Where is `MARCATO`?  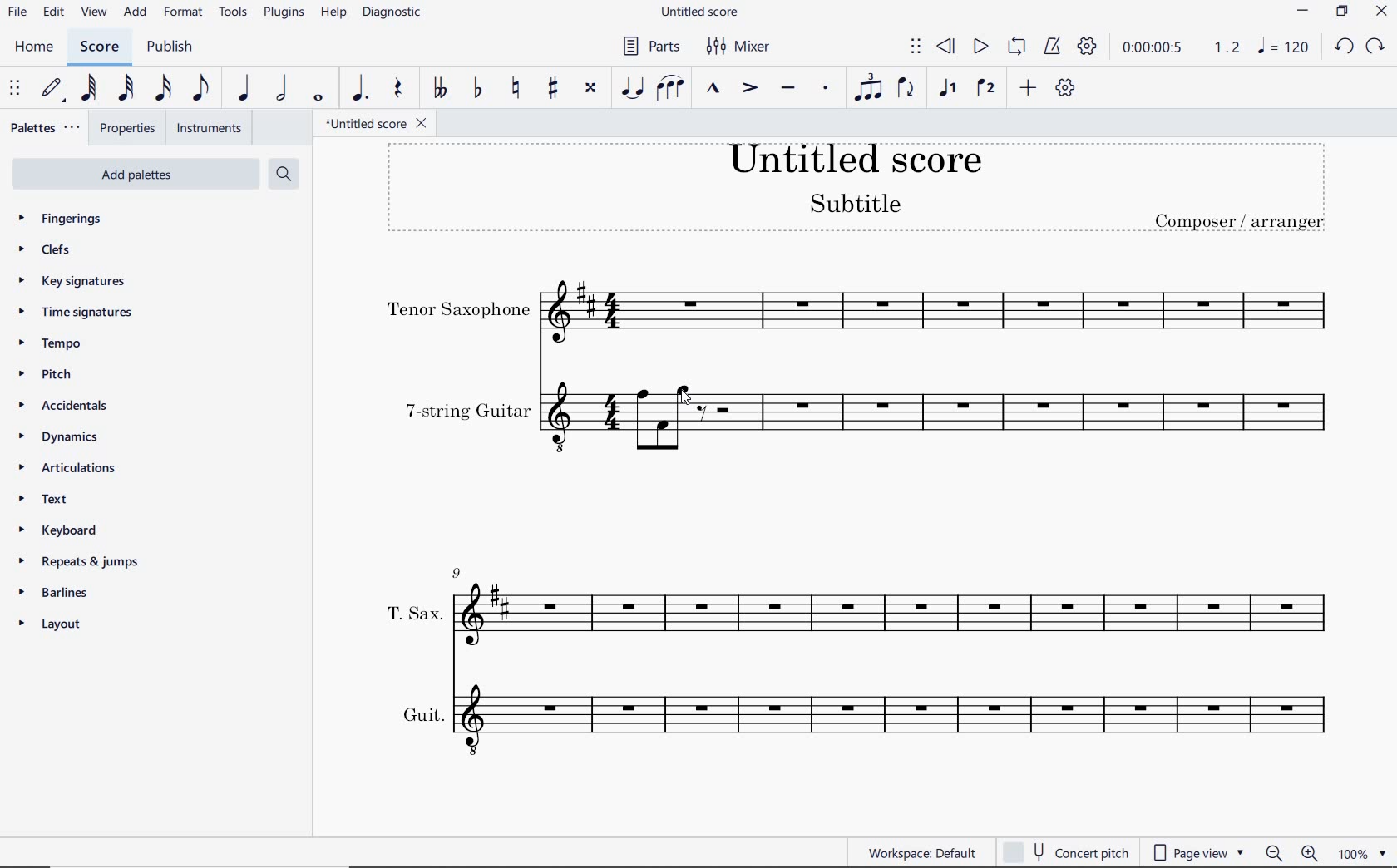 MARCATO is located at coordinates (713, 90).